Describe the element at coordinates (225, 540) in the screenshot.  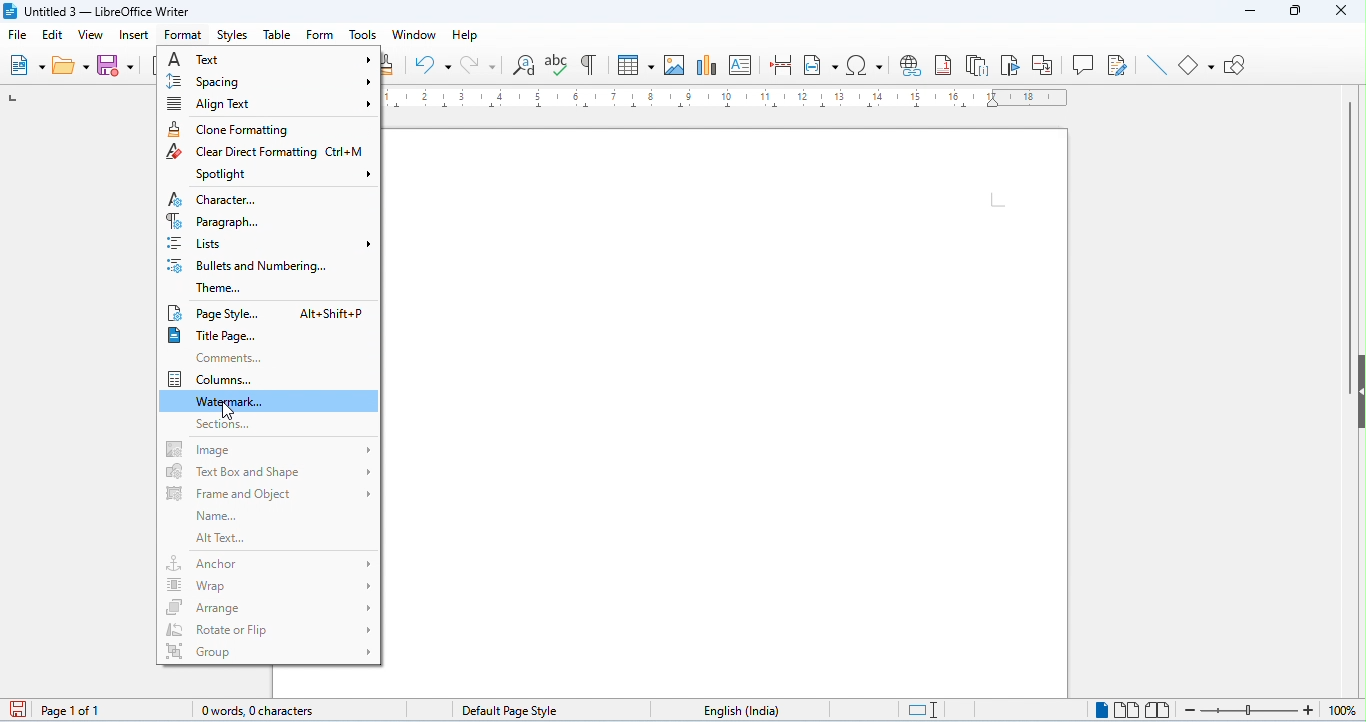
I see `alt text` at that location.